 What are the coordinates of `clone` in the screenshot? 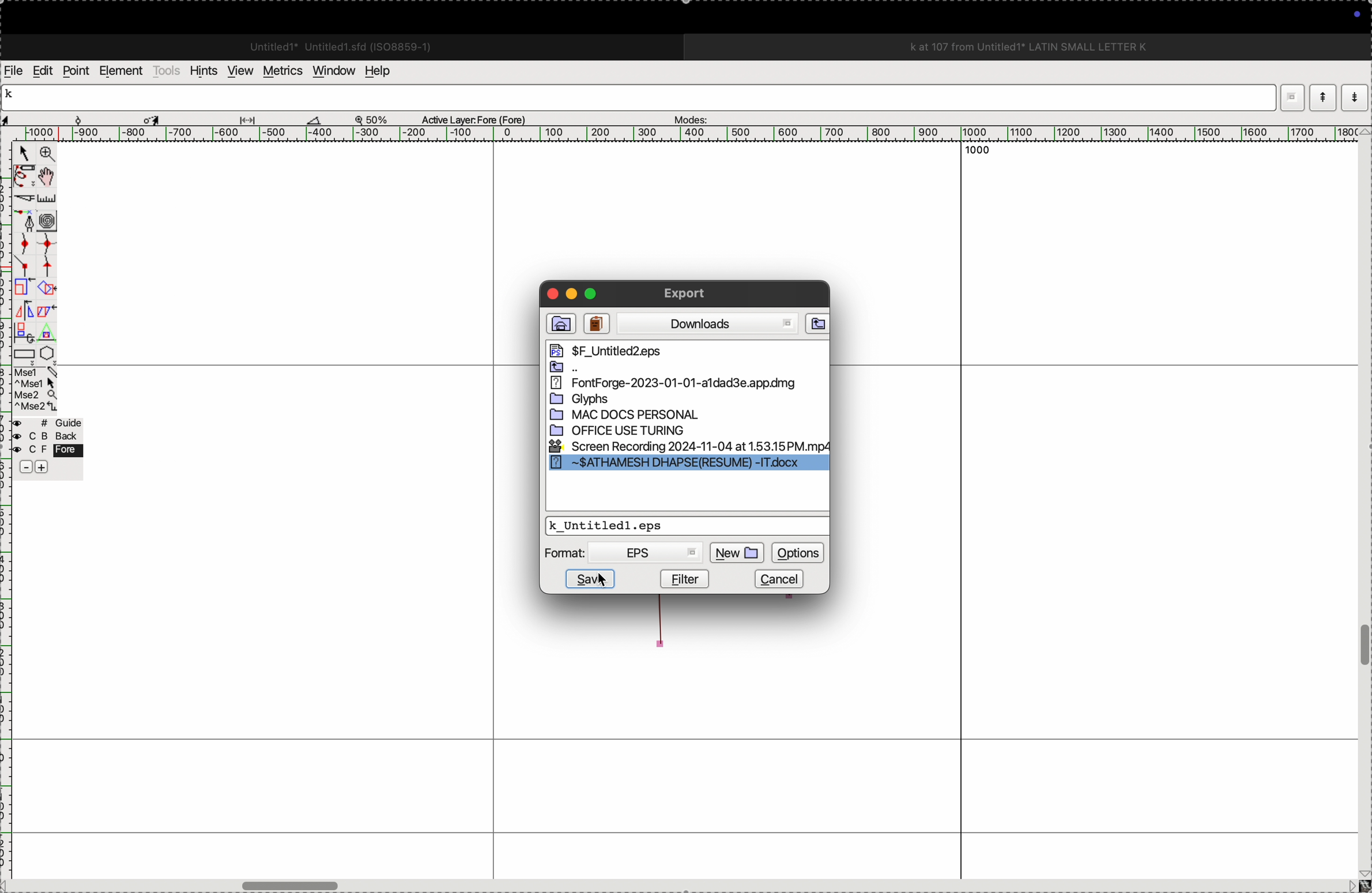 It's located at (22, 288).